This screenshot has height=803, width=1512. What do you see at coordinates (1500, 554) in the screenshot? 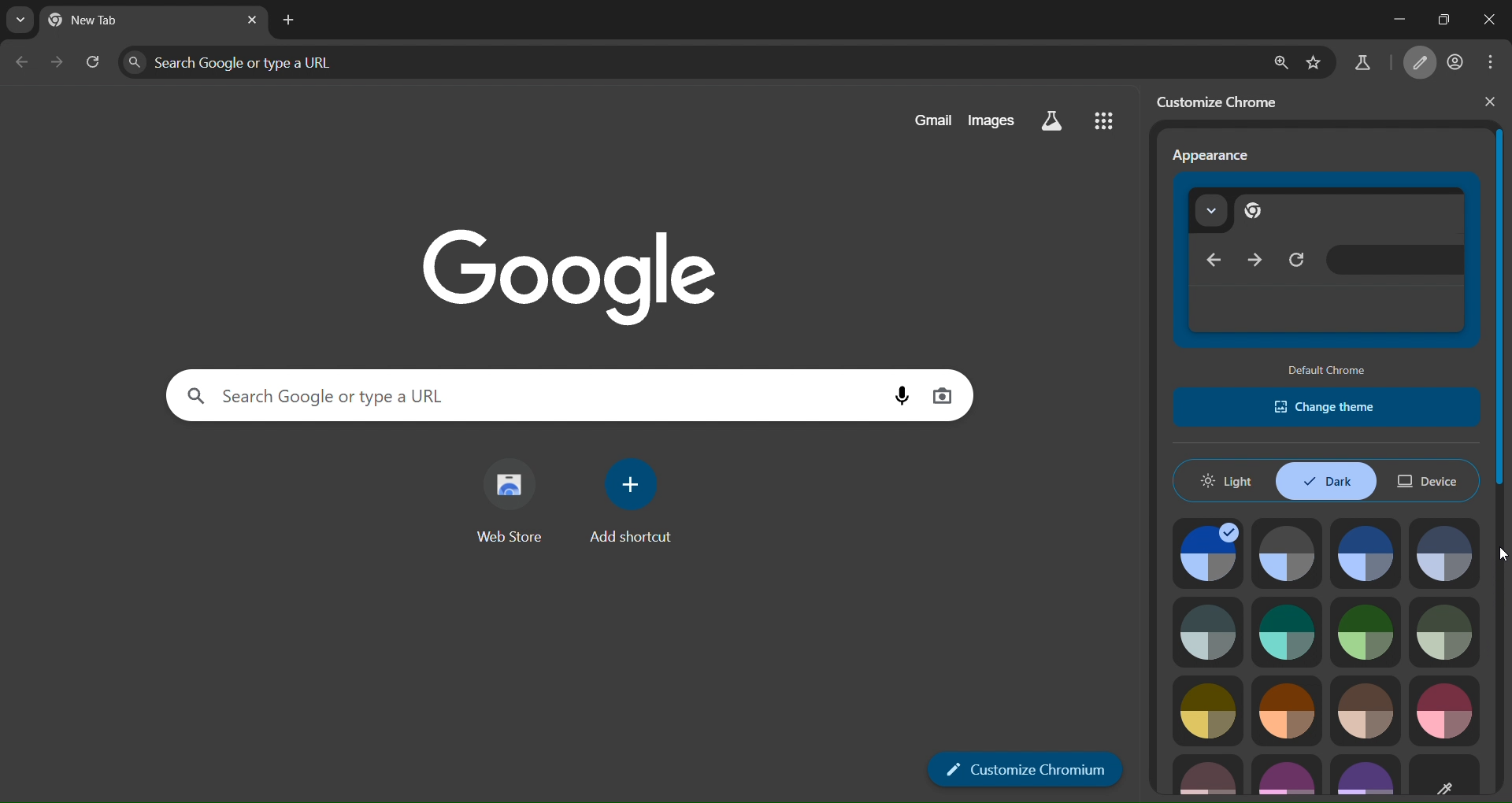
I see `Cursor` at bounding box center [1500, 554].